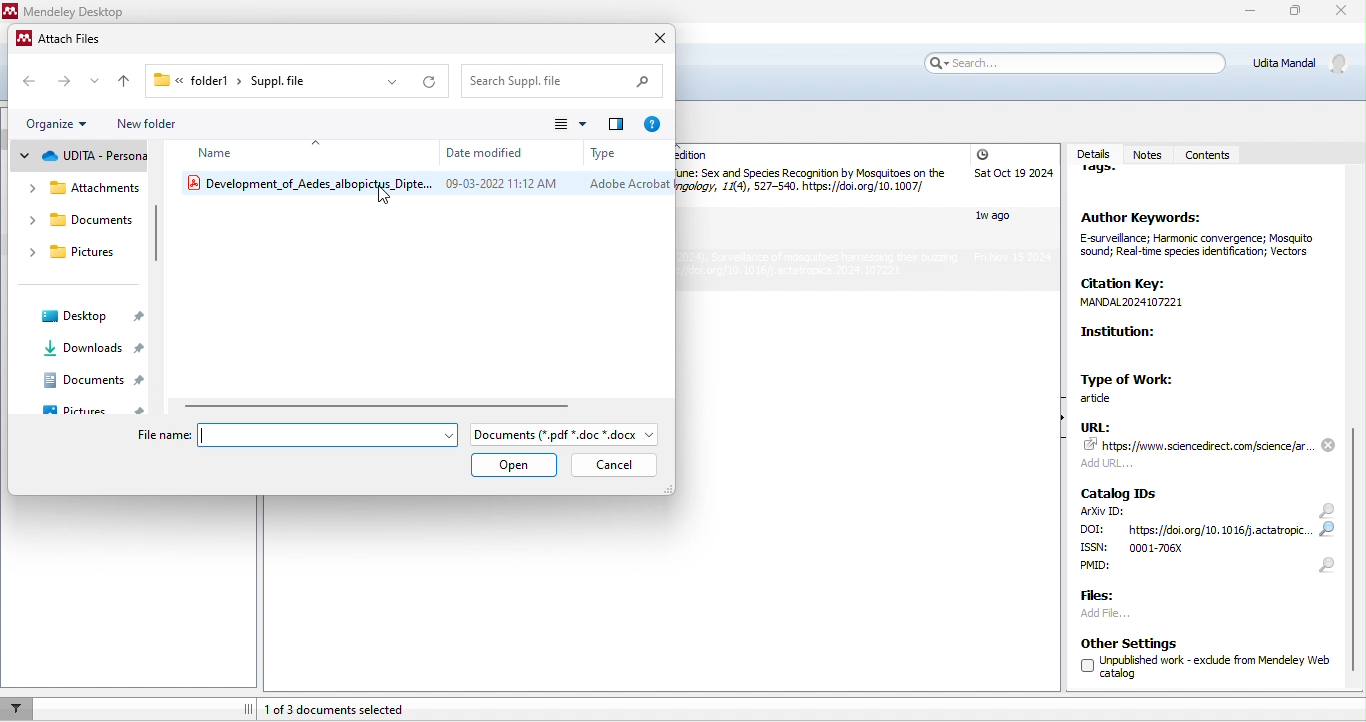  What do you see at coordinates (1247, 13) in the screenshot?
I see `minimize` at bounding box center [1247, 13].